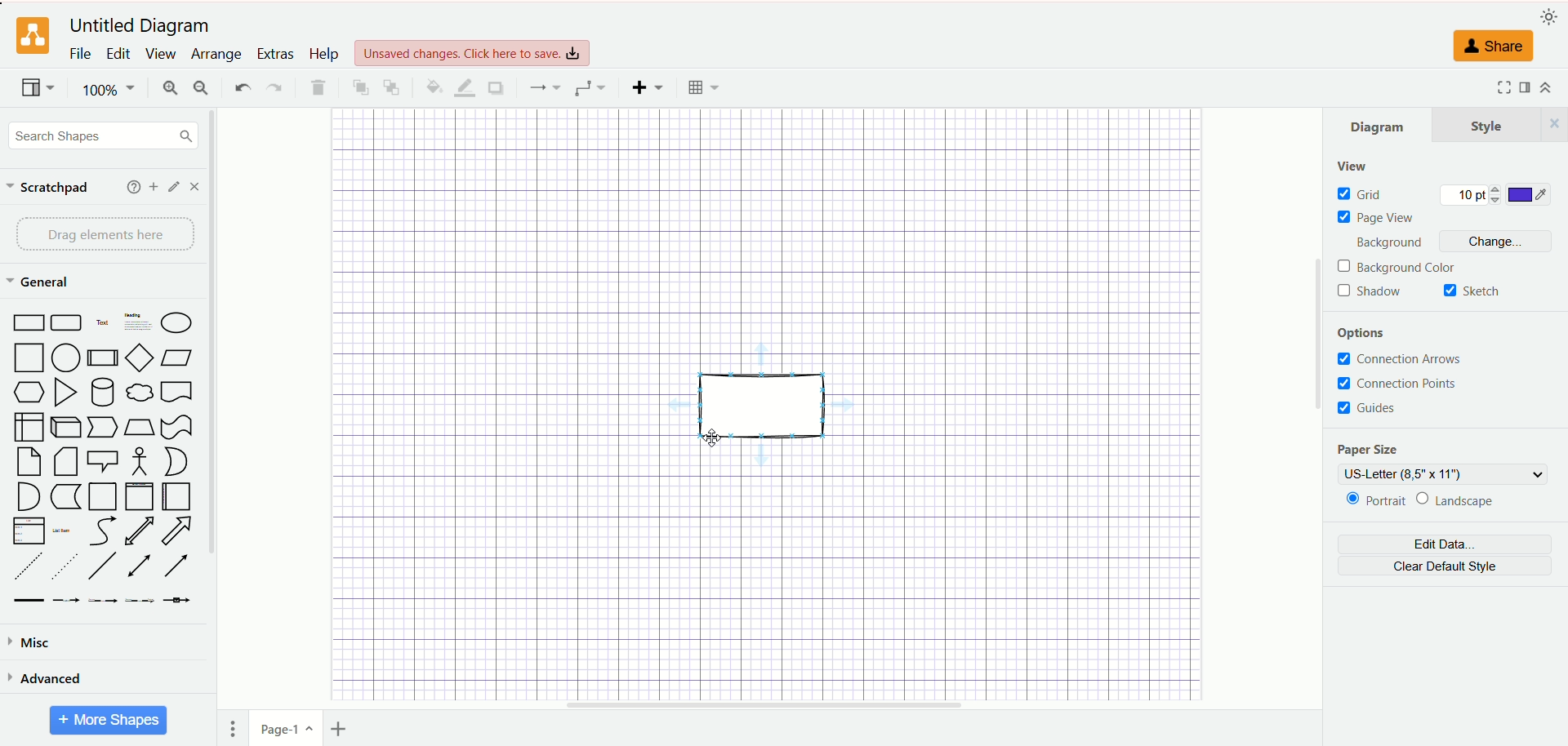 The height and width of the screenshot is (746, 1568). I want to click on edit data, so click(1443, 544).